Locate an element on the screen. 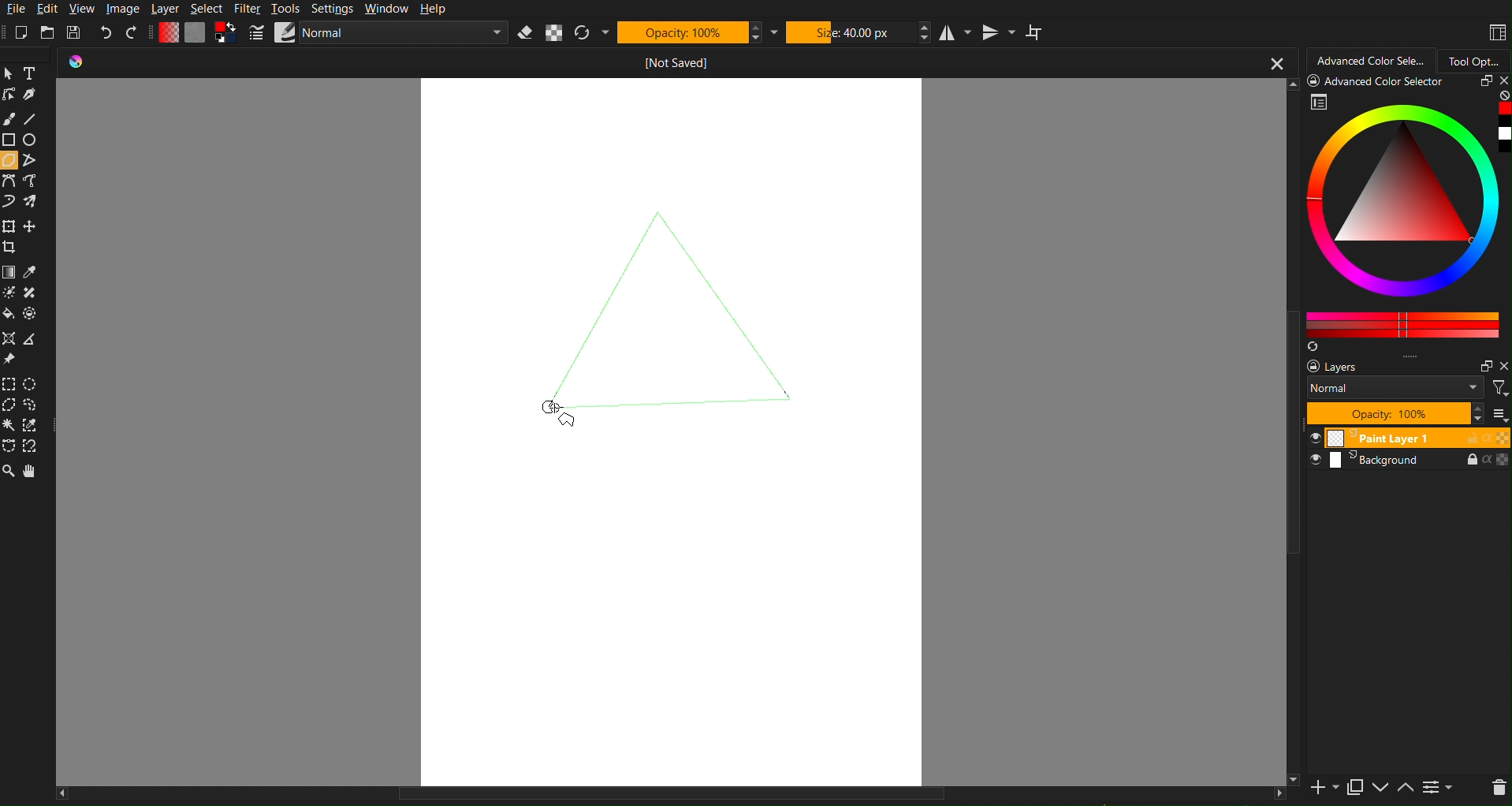 This screenshot has height=806, width=1512. Line 2 is located at coordinates (743, 293).